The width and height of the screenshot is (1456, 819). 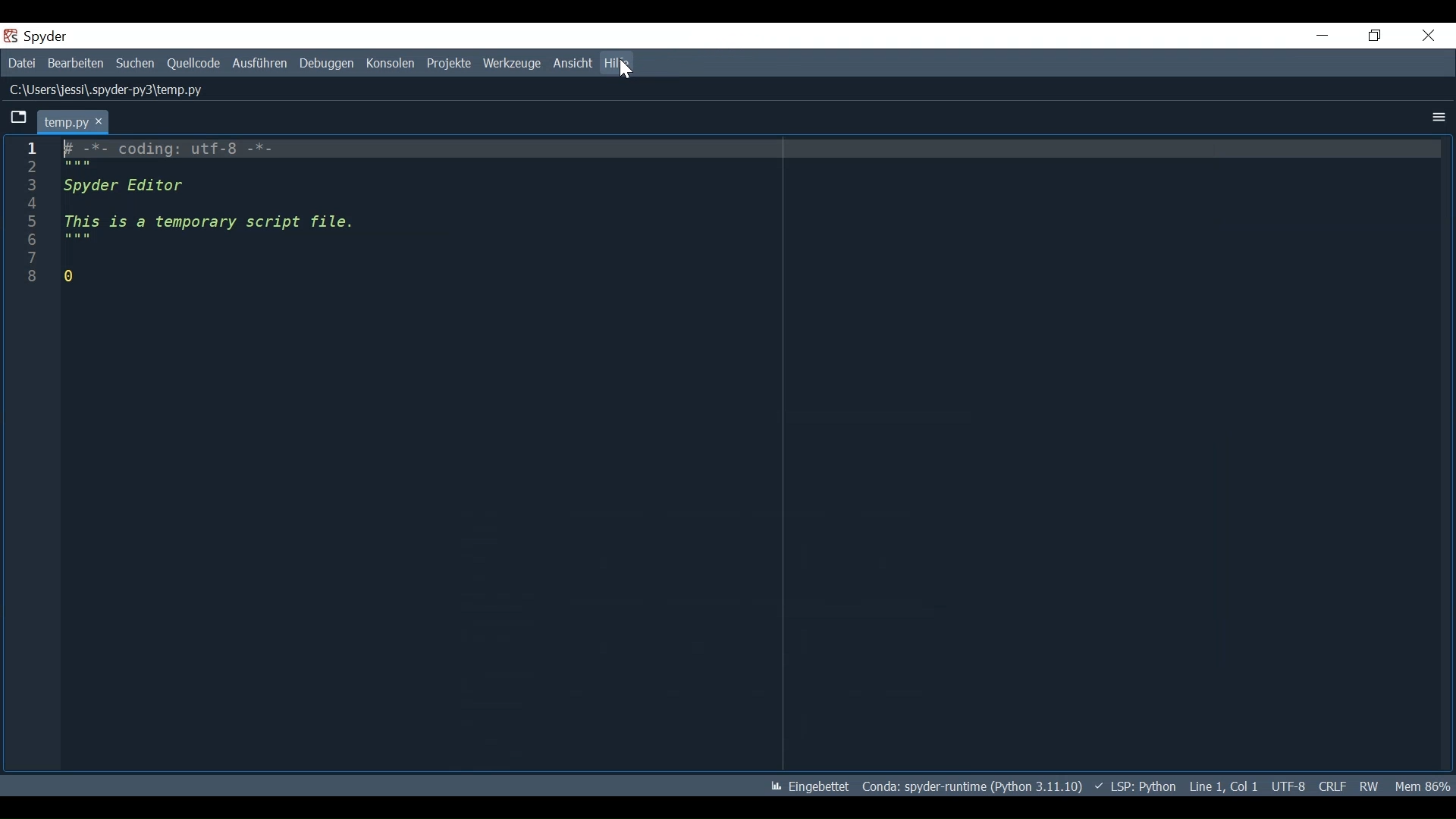 What do you see at coordinates (389, 65) in the screenshot?
I see `Consoles` at bounding box center [389, 65].